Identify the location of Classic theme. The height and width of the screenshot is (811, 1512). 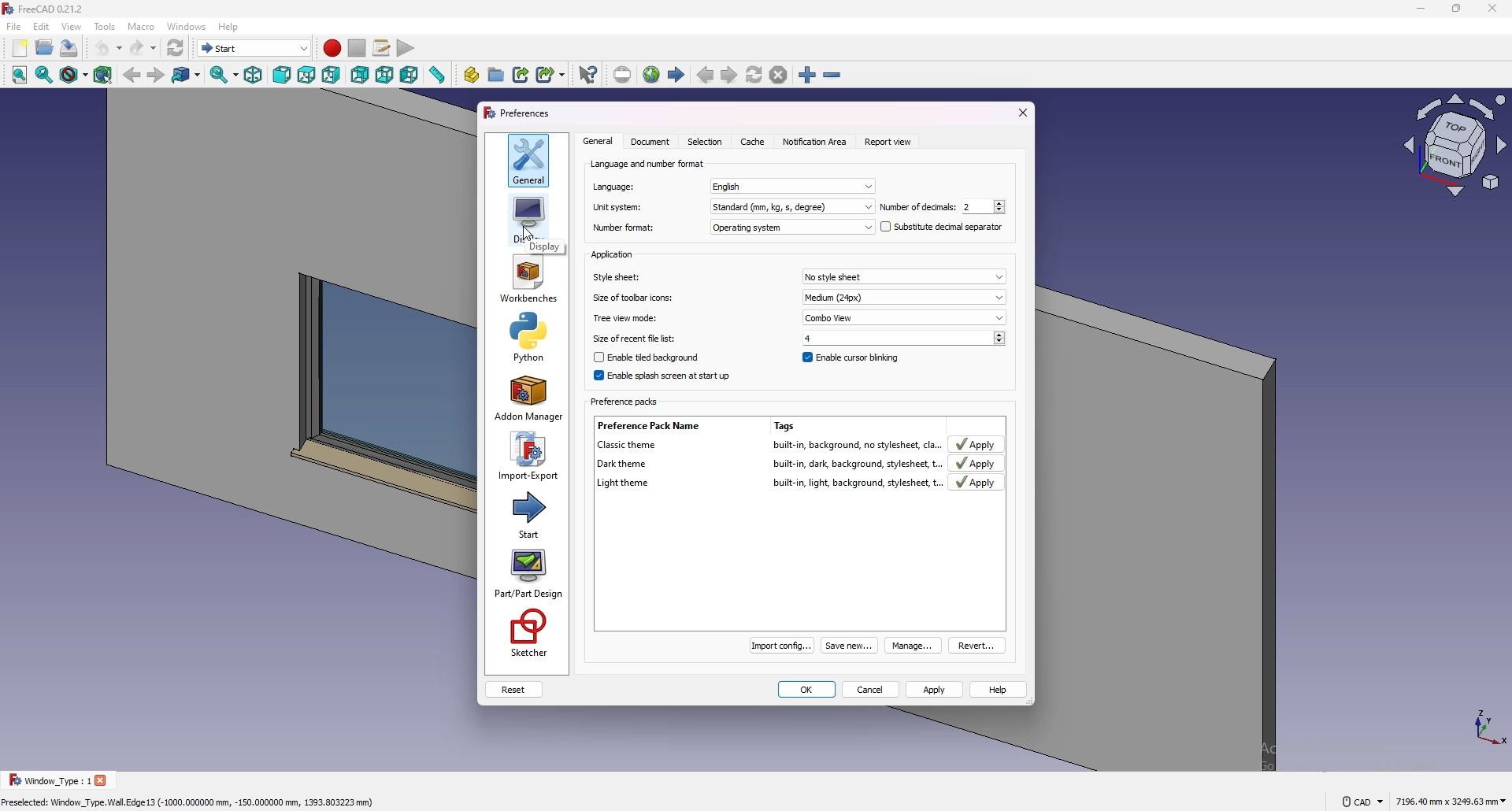
(627, 446).